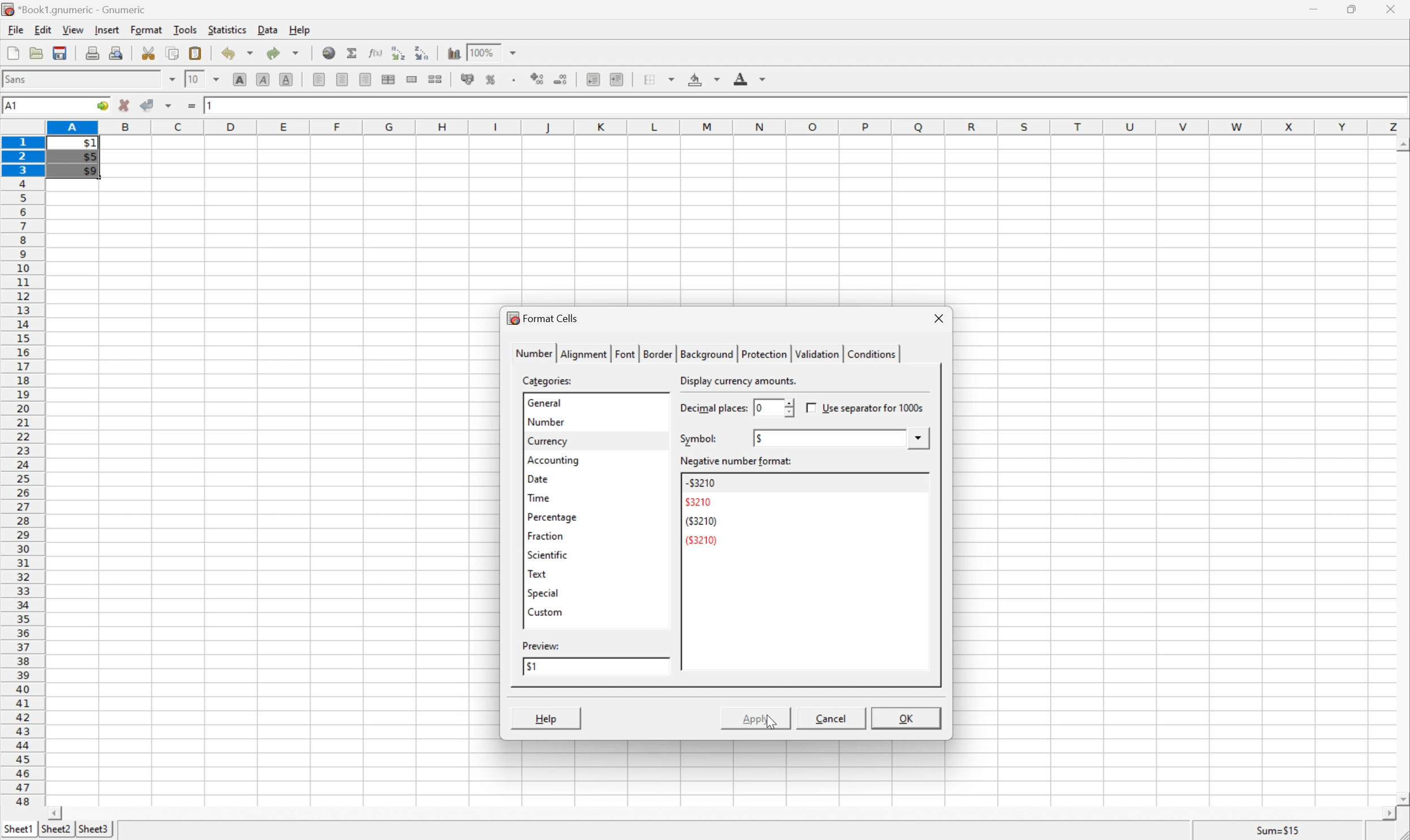 The width and height of the screenshot is (1410, 840). Describe the element at coordinates (226, 29) in the screenshot. I see `statistics` at that location.